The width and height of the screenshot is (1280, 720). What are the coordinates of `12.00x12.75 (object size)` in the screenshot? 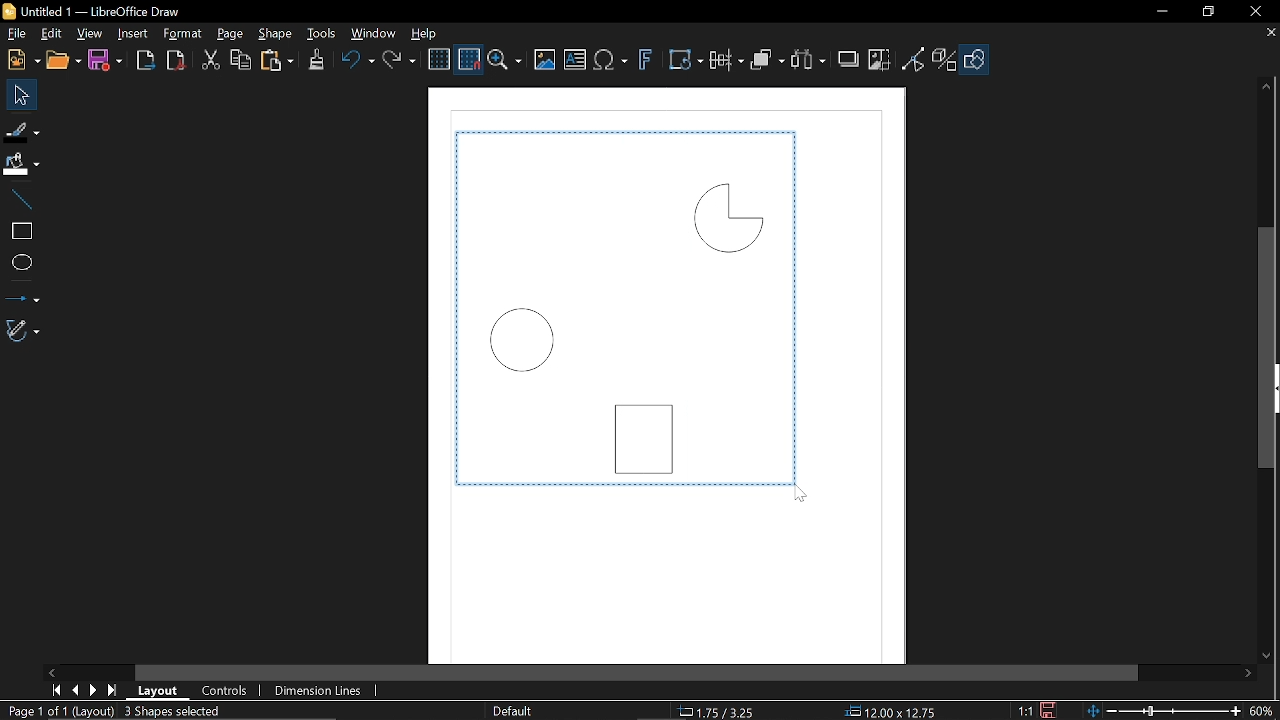 It's located at (889, 712).